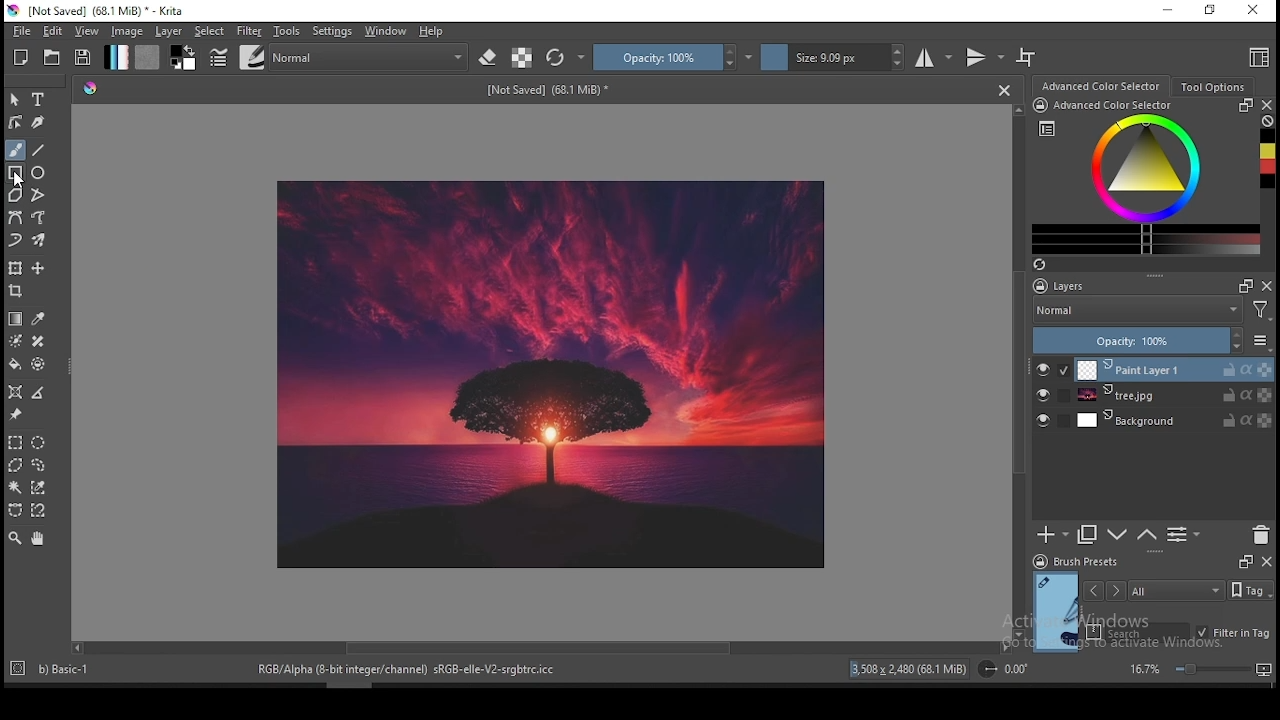 The height and width of the screenshot is (720, 1280). I want to click on search, so click(1138, 631).